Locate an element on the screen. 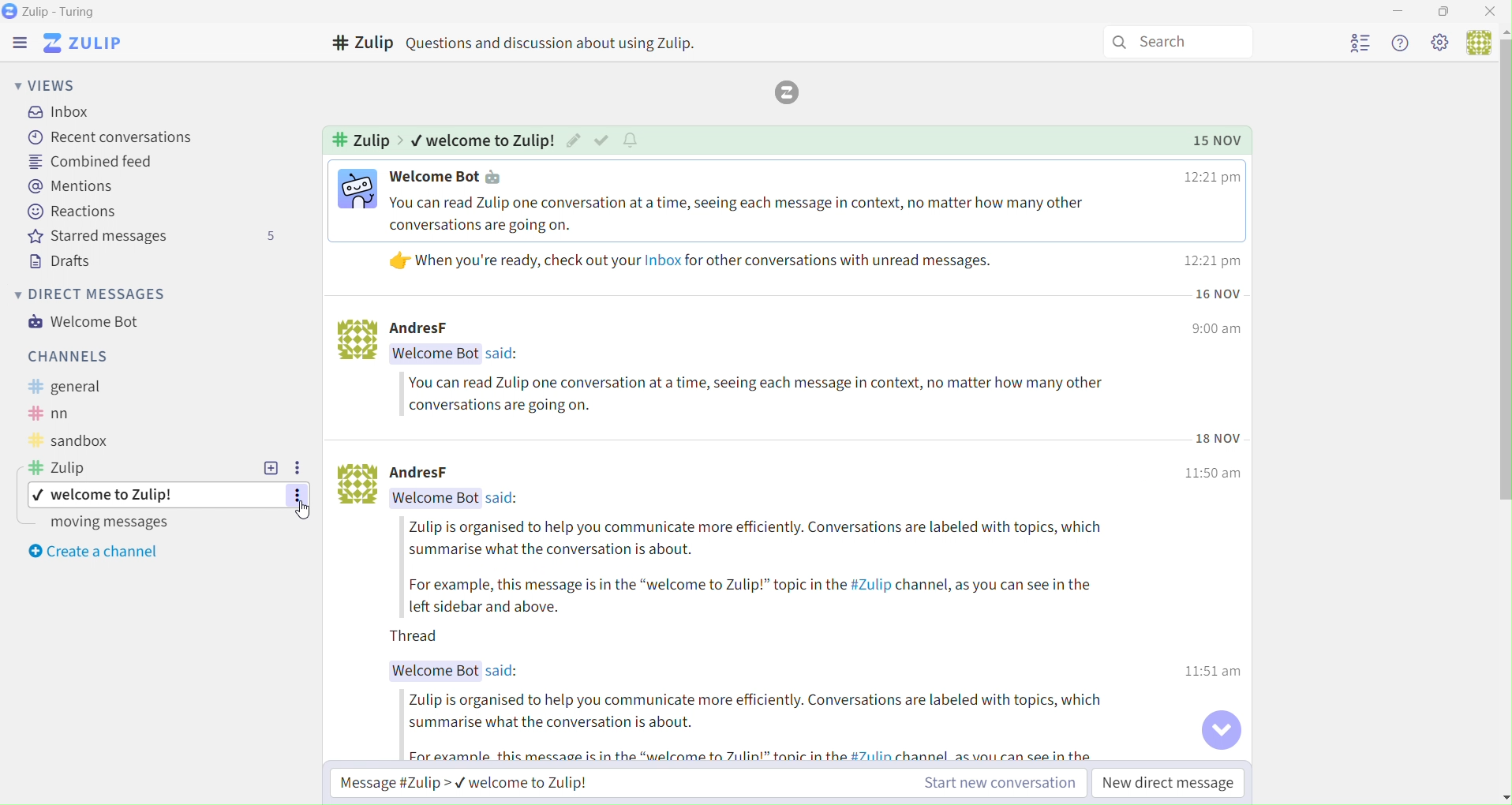 This screenshot has height=805, width=1512. Settings is located at coordinates (299, 497).